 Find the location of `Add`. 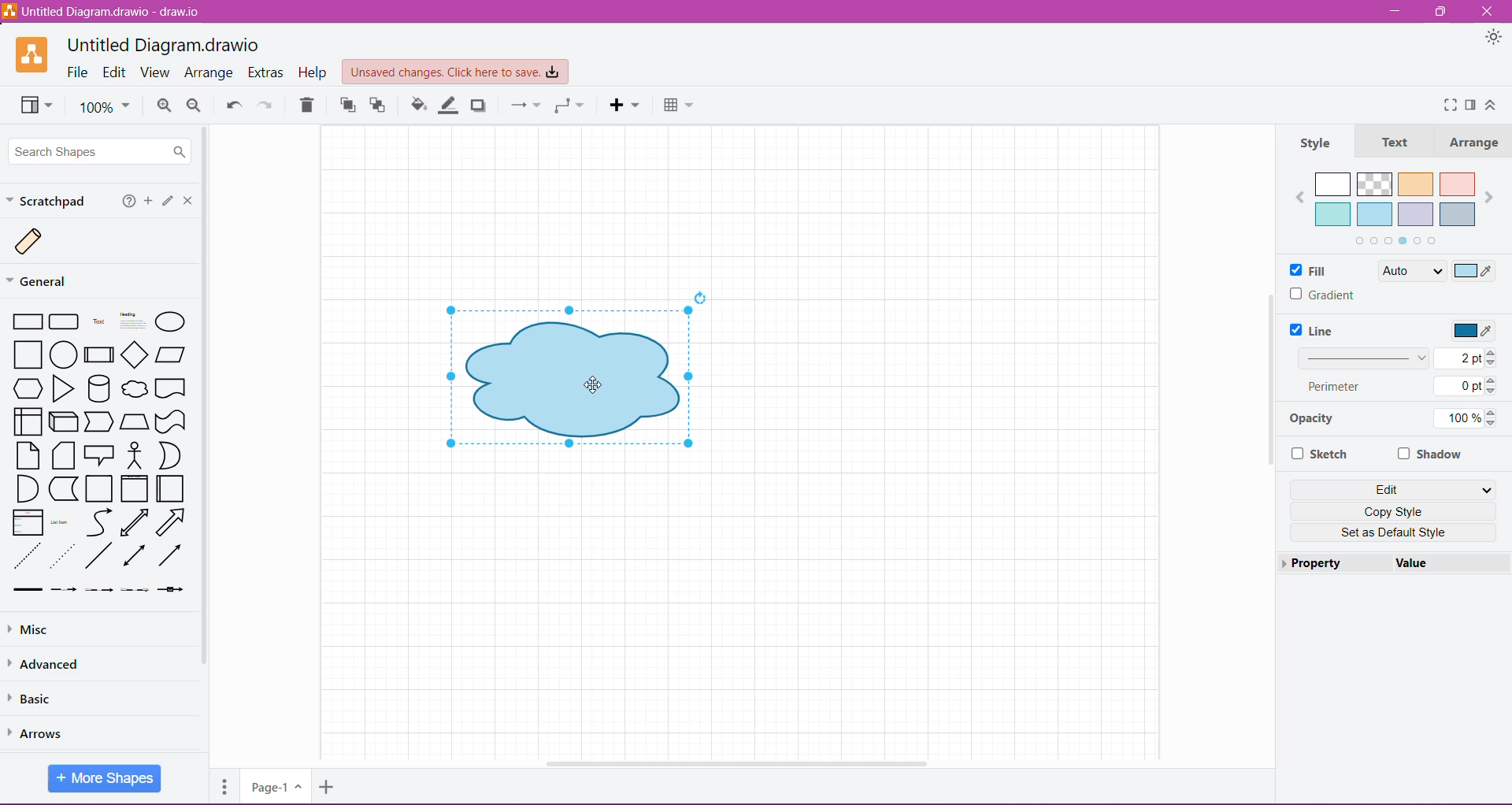

Add is located at coordinates (149, 201).